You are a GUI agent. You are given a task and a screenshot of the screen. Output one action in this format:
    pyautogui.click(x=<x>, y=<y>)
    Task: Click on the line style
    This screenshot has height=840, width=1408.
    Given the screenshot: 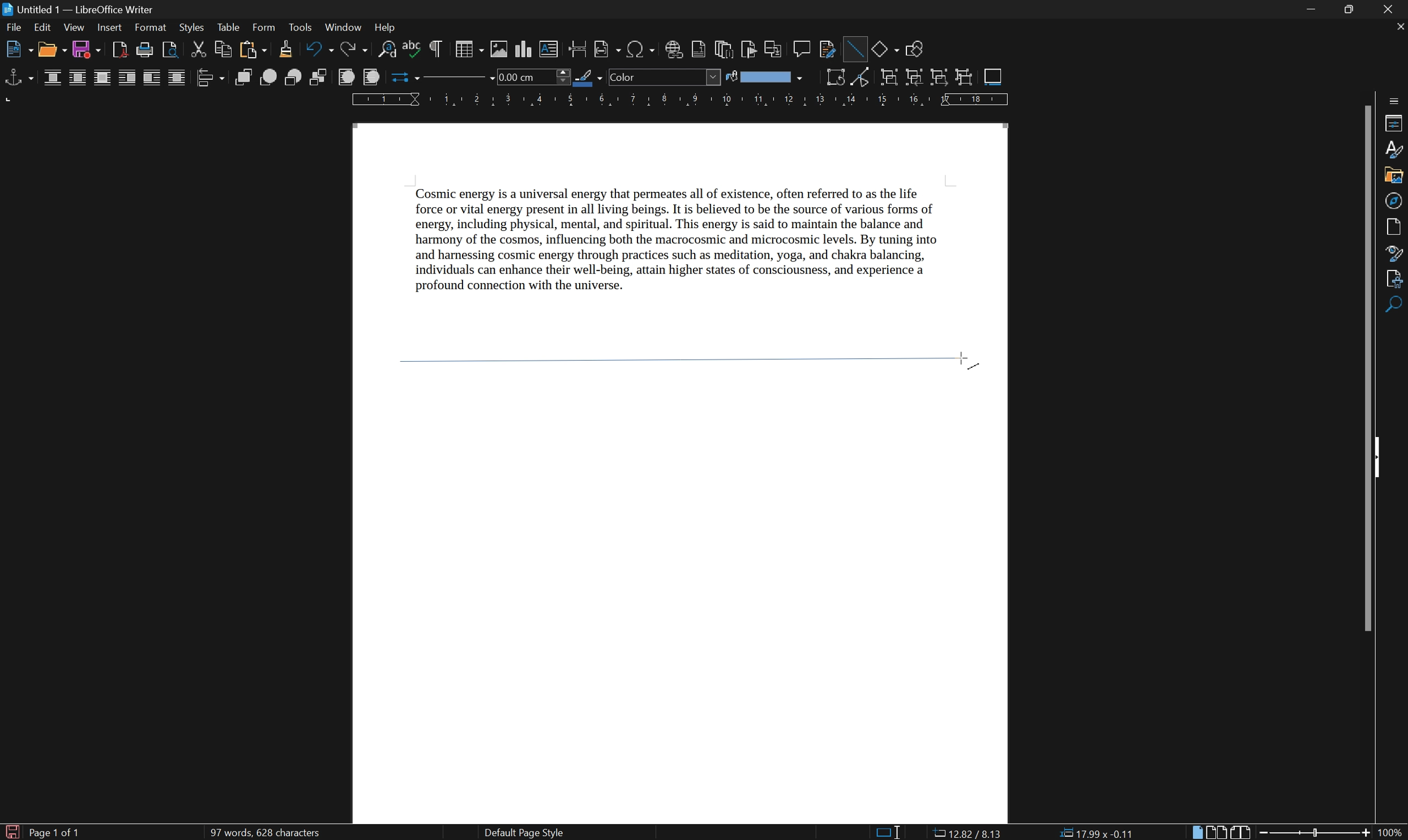 What is the action you would take?
    pyautogui.click(x=452, y=80)
    